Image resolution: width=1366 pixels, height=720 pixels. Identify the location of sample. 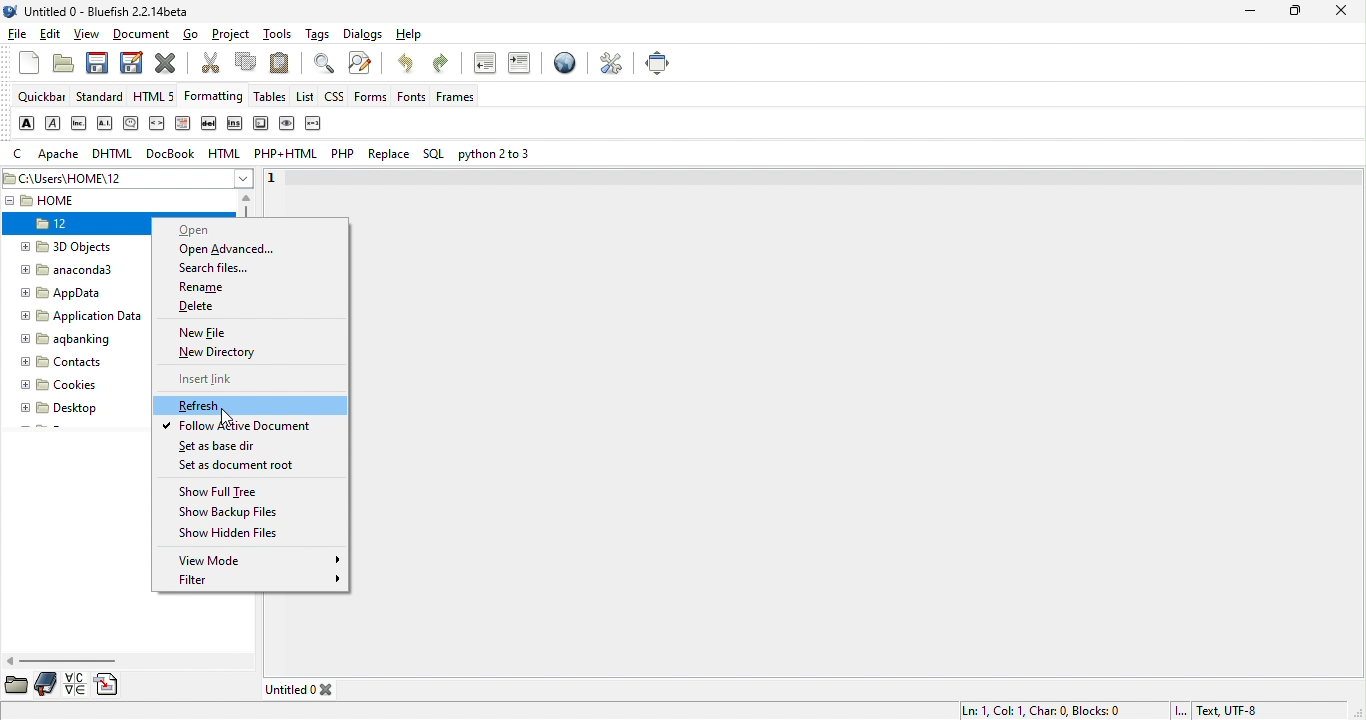
(287, 124).